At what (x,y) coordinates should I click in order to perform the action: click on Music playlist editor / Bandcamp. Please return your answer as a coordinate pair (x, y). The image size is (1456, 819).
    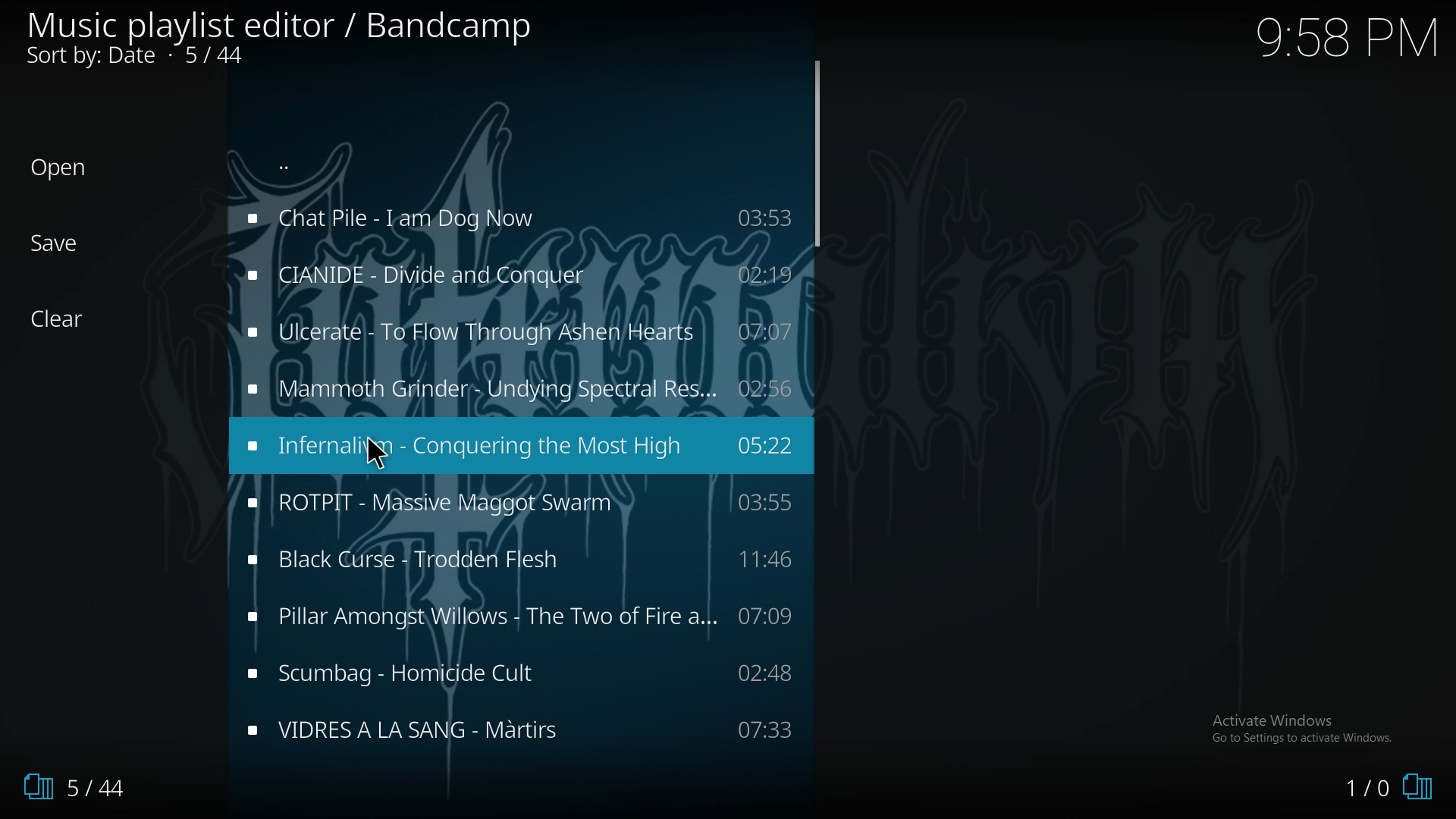
    Looking at the image, I should click on (281, 26).